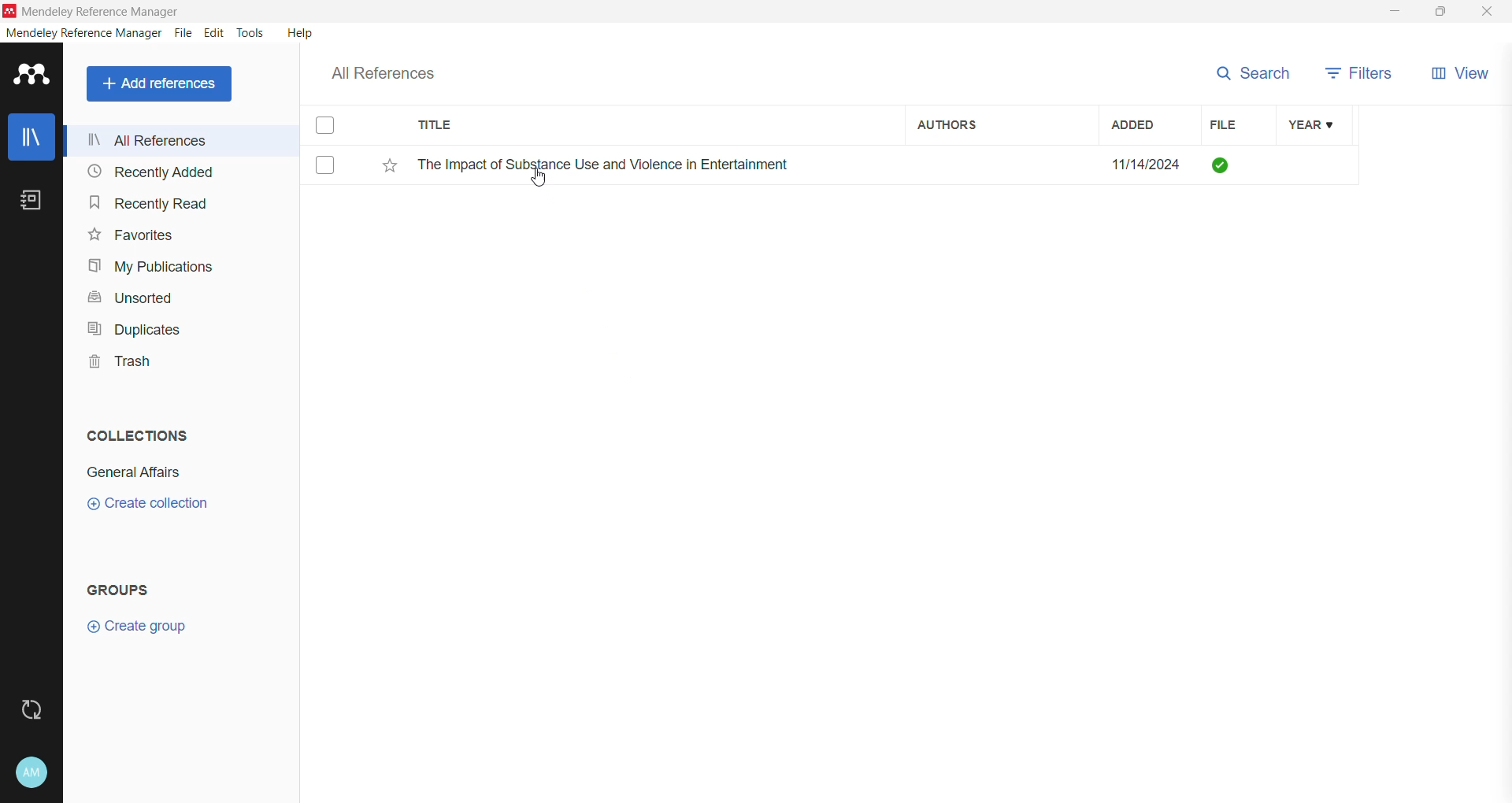 Image resolution: width=1512 pixels, height=803 pixels. What do you see at coordinates (131, 472) in the screenshot?
I see `Collection Name` at bounding box center [131, 472].